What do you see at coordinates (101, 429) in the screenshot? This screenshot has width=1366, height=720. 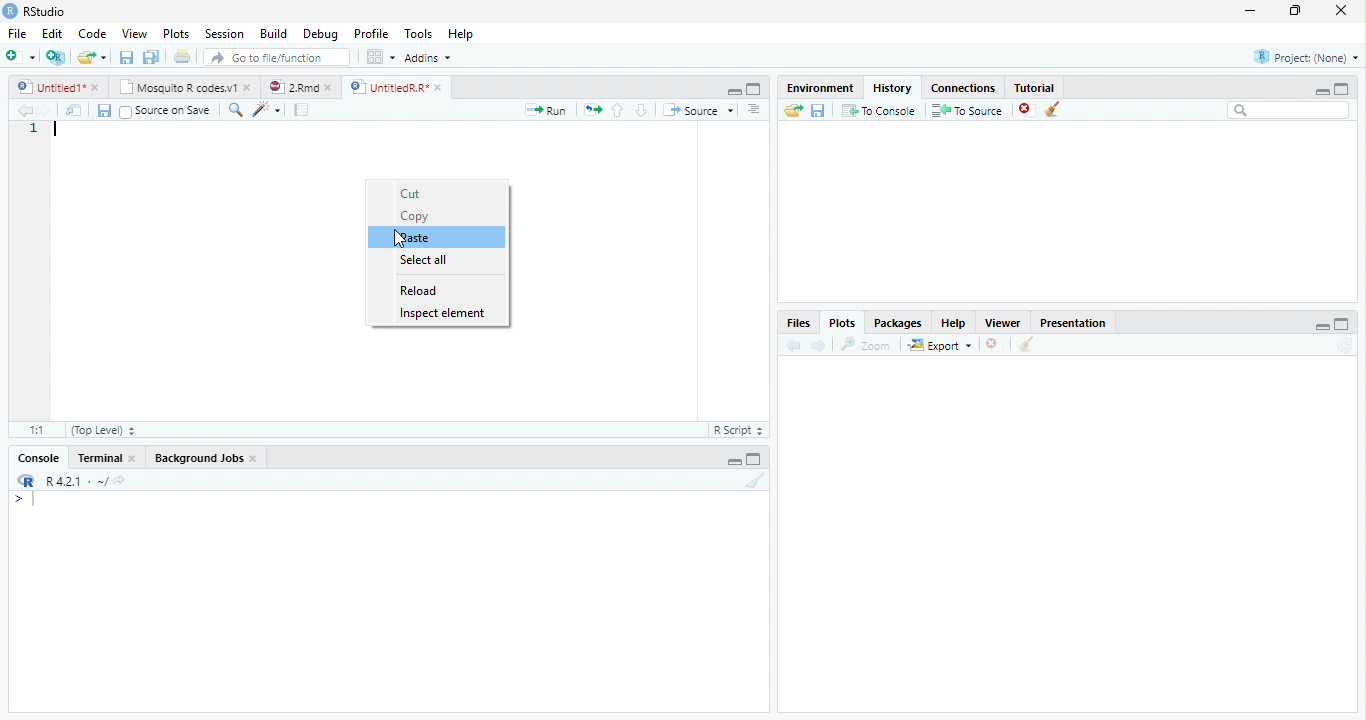 I see `(Top Level)` at bounding box center [101, 429].